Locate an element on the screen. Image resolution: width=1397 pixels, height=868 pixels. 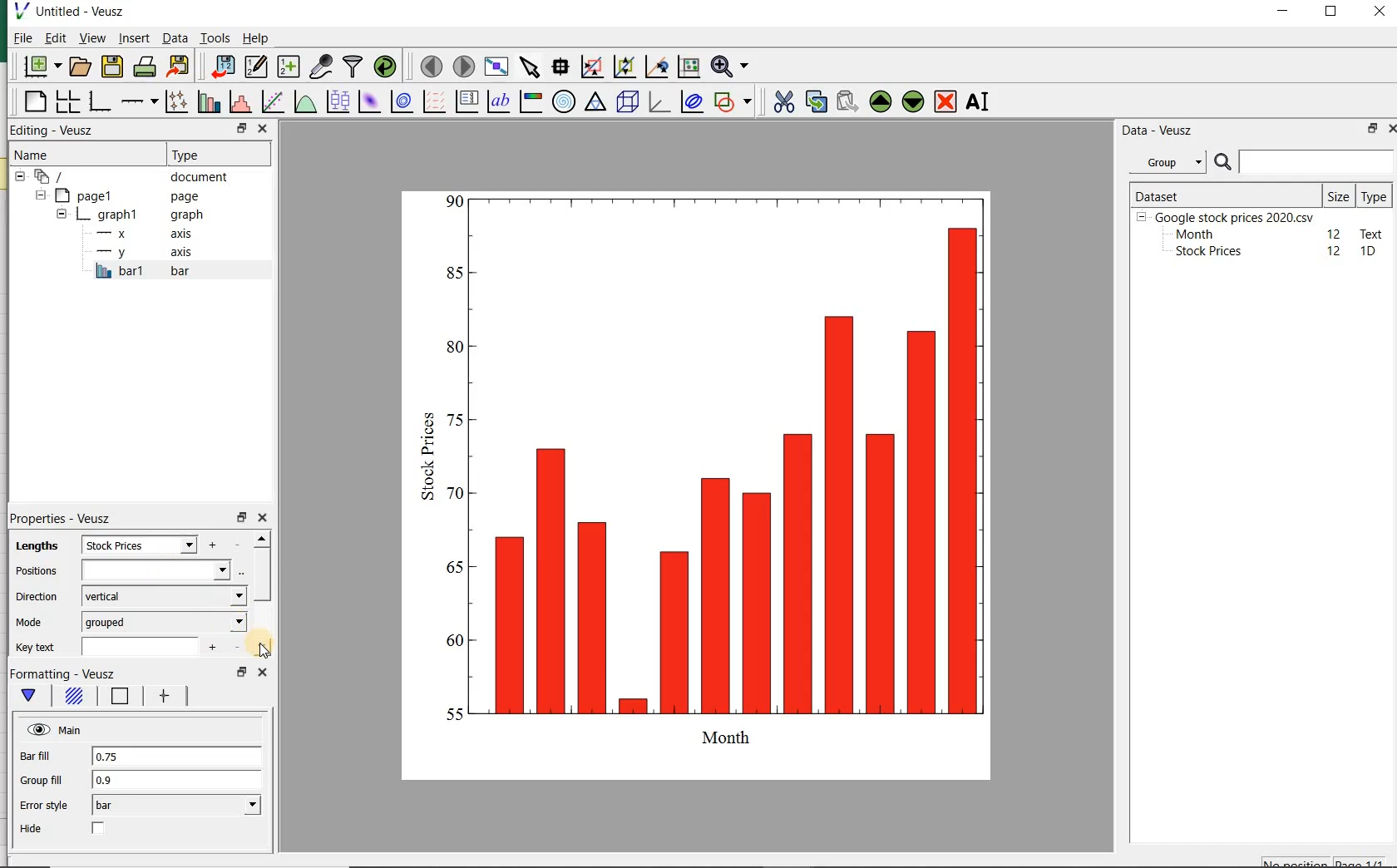
Direction is located at coordinates (39, 599).